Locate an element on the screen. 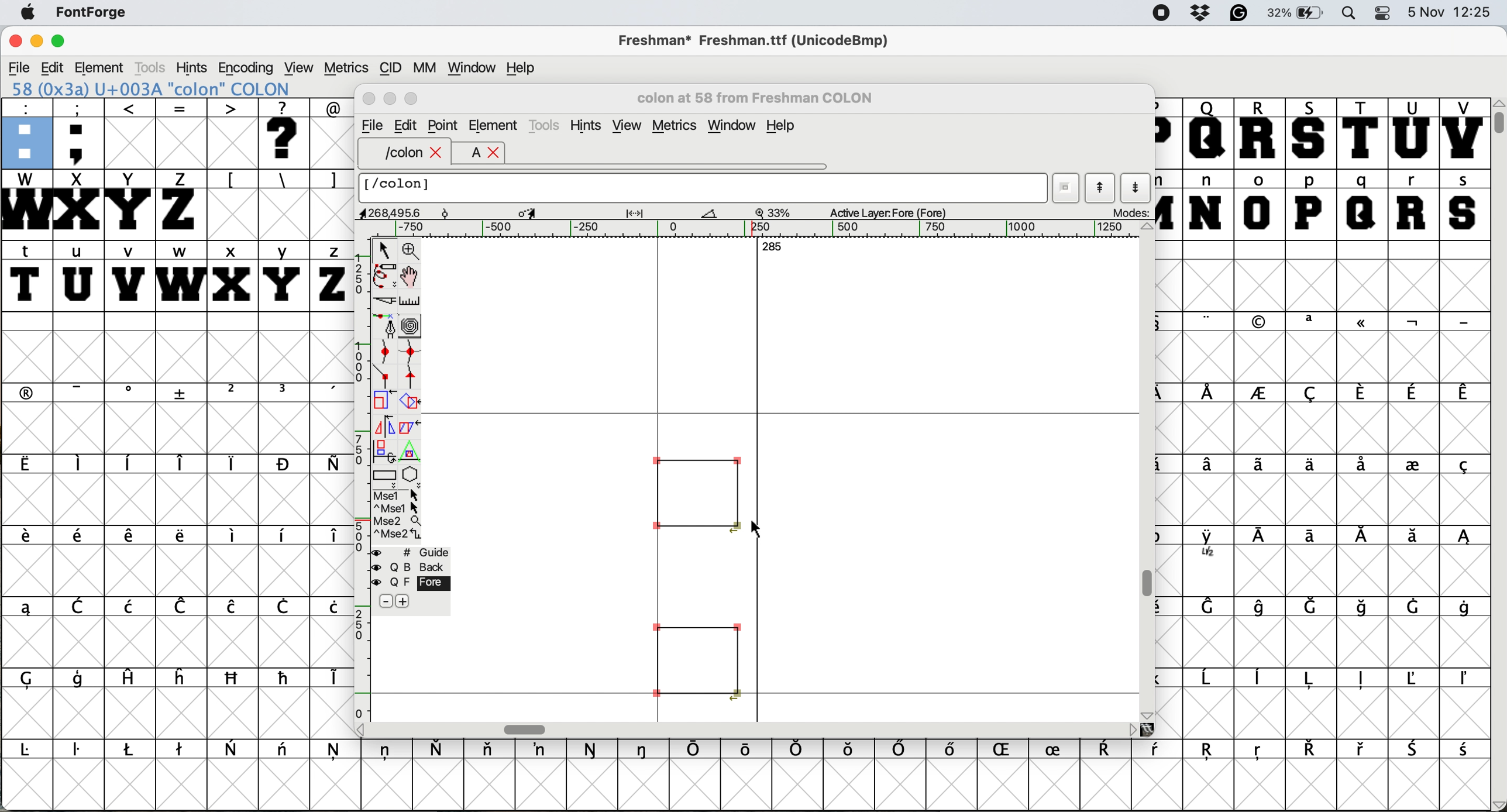  symbol is located at coordinates (387, 752).